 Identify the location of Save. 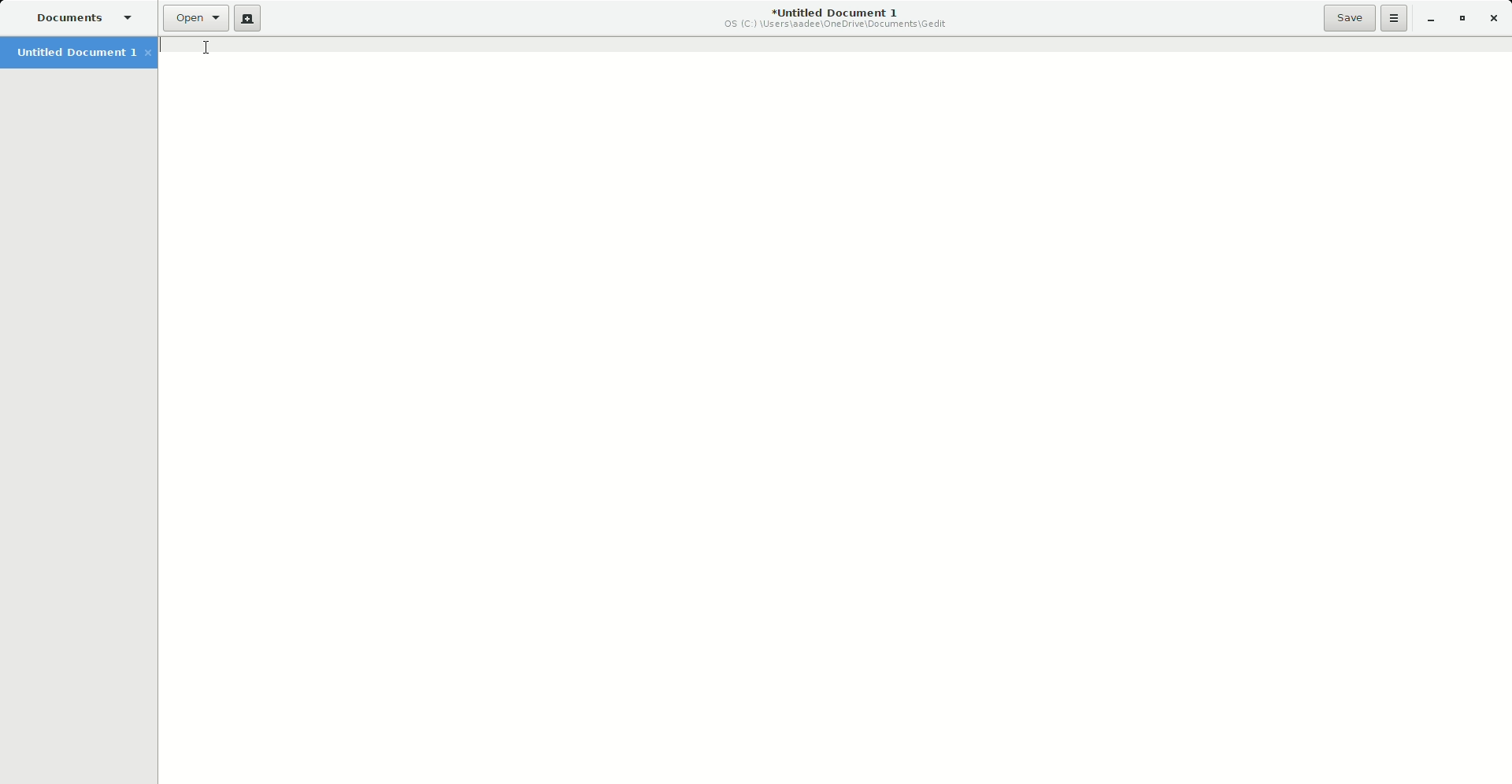
(1350, 17).